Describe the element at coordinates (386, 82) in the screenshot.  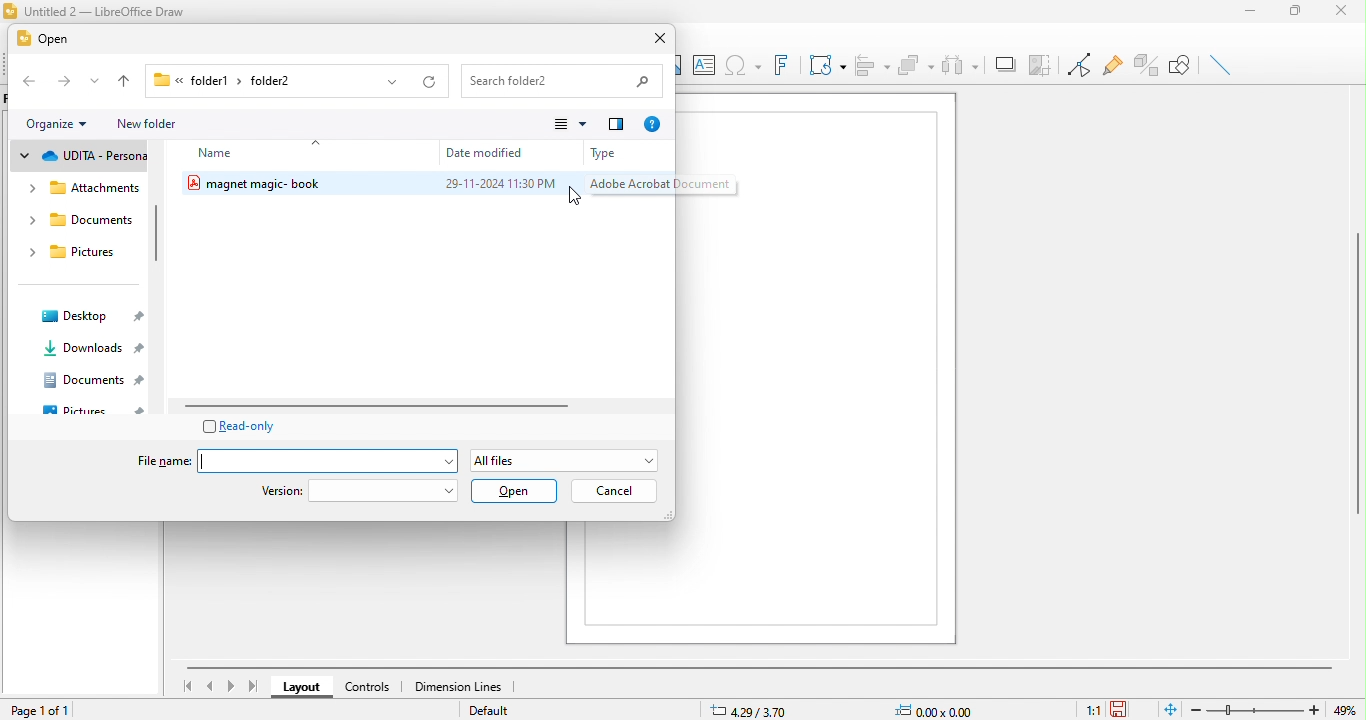
I see `previous location` at that location.